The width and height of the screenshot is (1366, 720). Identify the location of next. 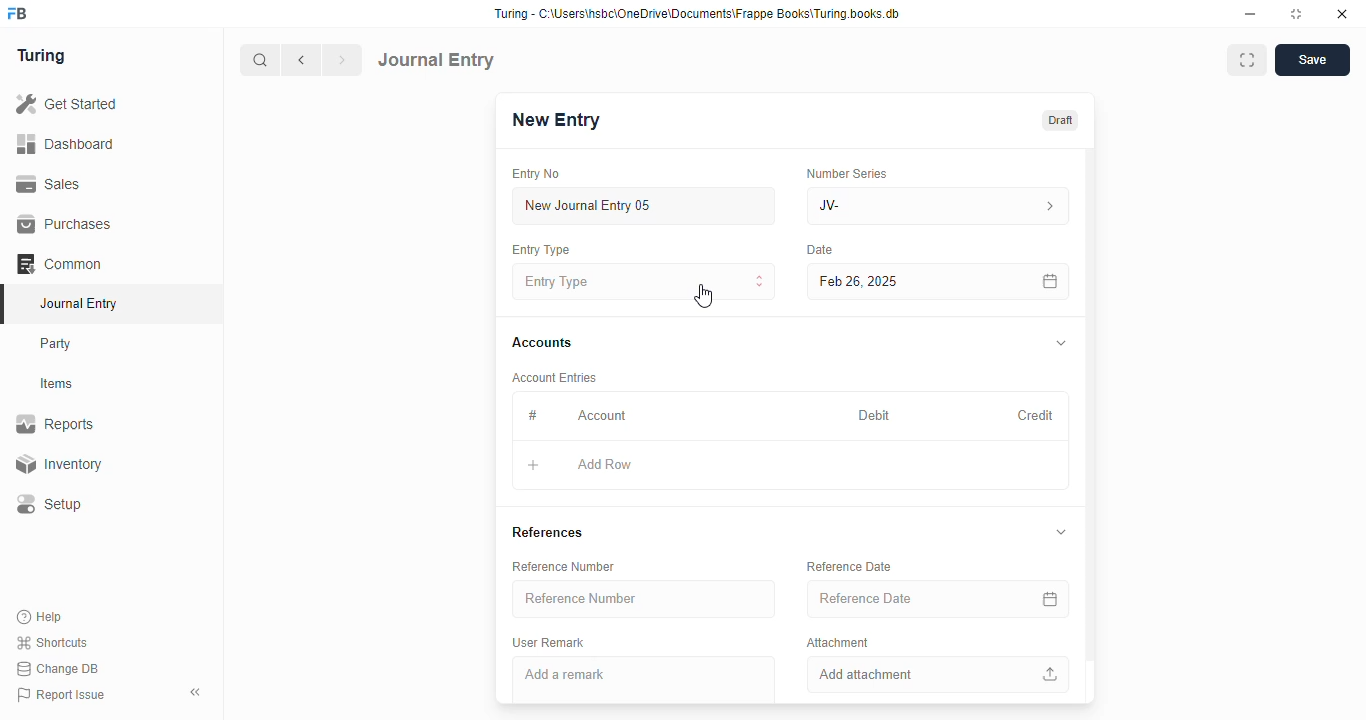
(344, 60).